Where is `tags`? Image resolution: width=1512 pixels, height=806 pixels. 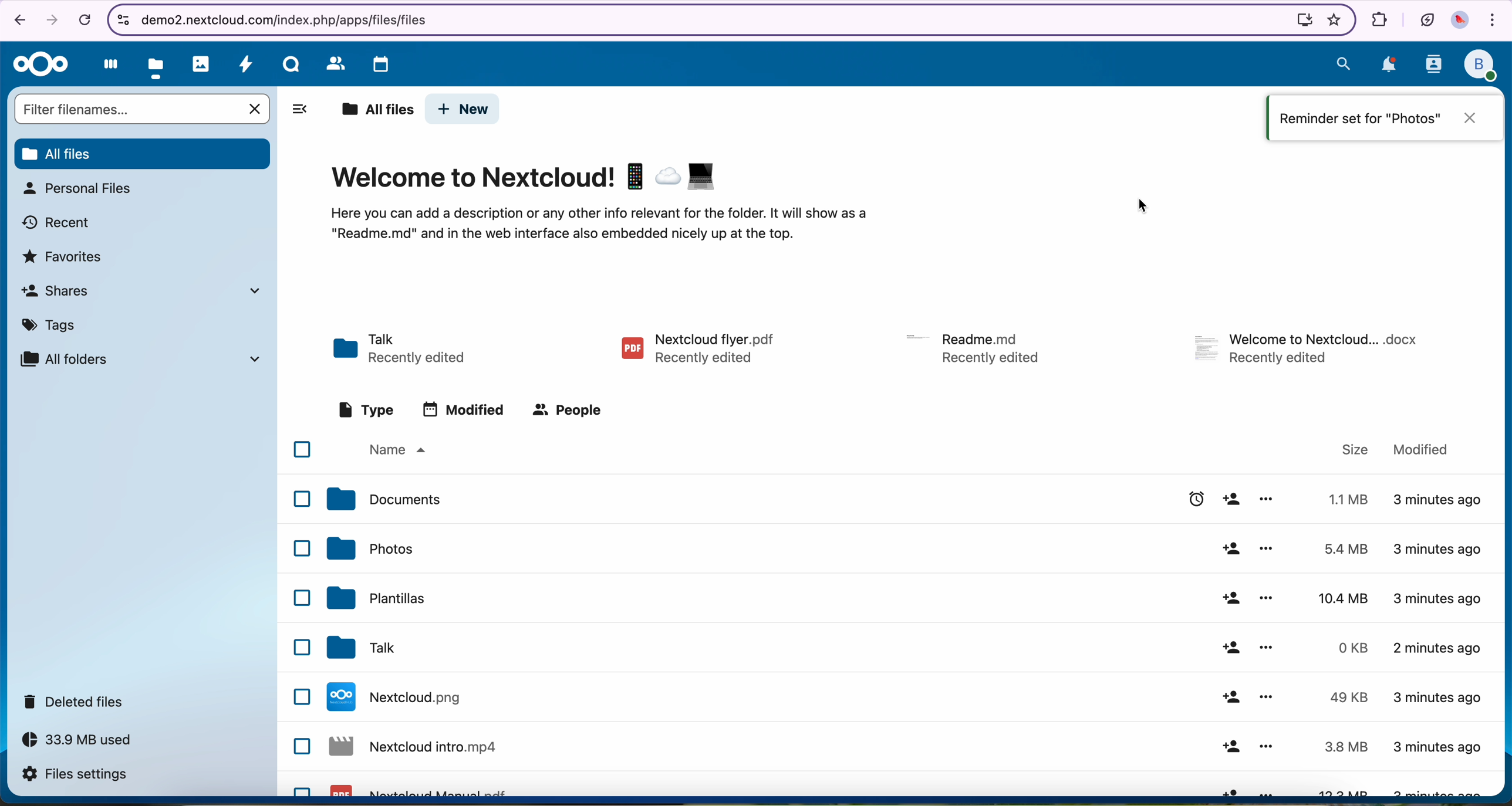
tags is located at coordinates (49, 327).